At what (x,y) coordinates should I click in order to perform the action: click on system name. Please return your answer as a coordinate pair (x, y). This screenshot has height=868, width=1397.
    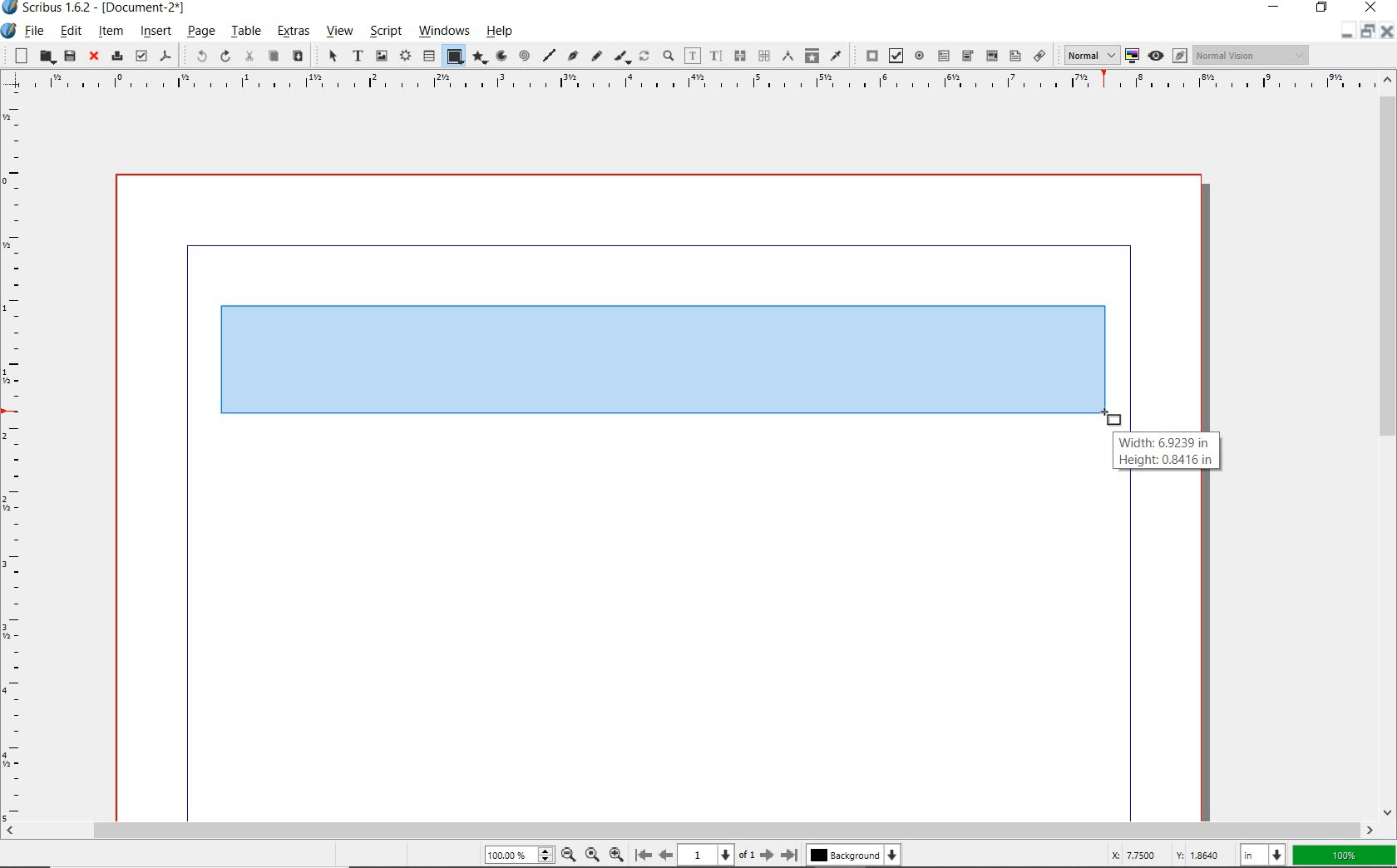
    Looking at the image, I should click on (96, 7).